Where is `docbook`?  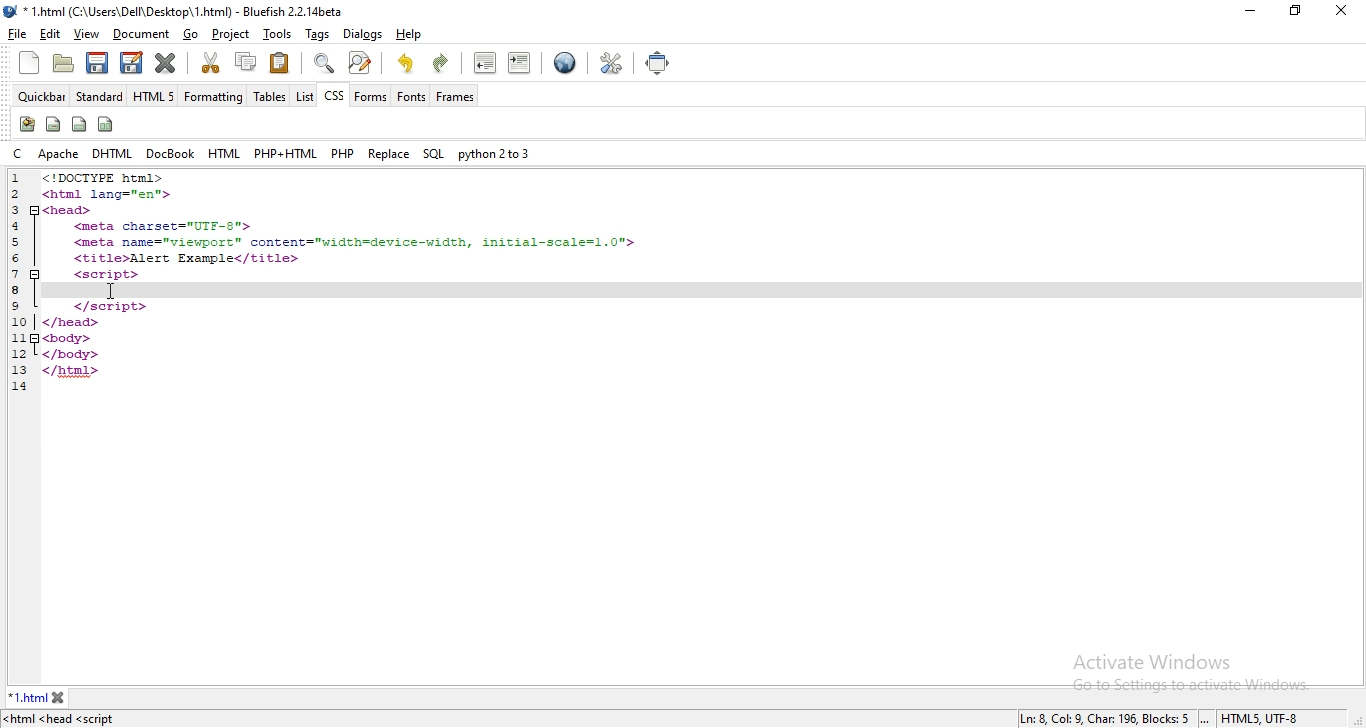 docbook is located at coordinates (169, 153).